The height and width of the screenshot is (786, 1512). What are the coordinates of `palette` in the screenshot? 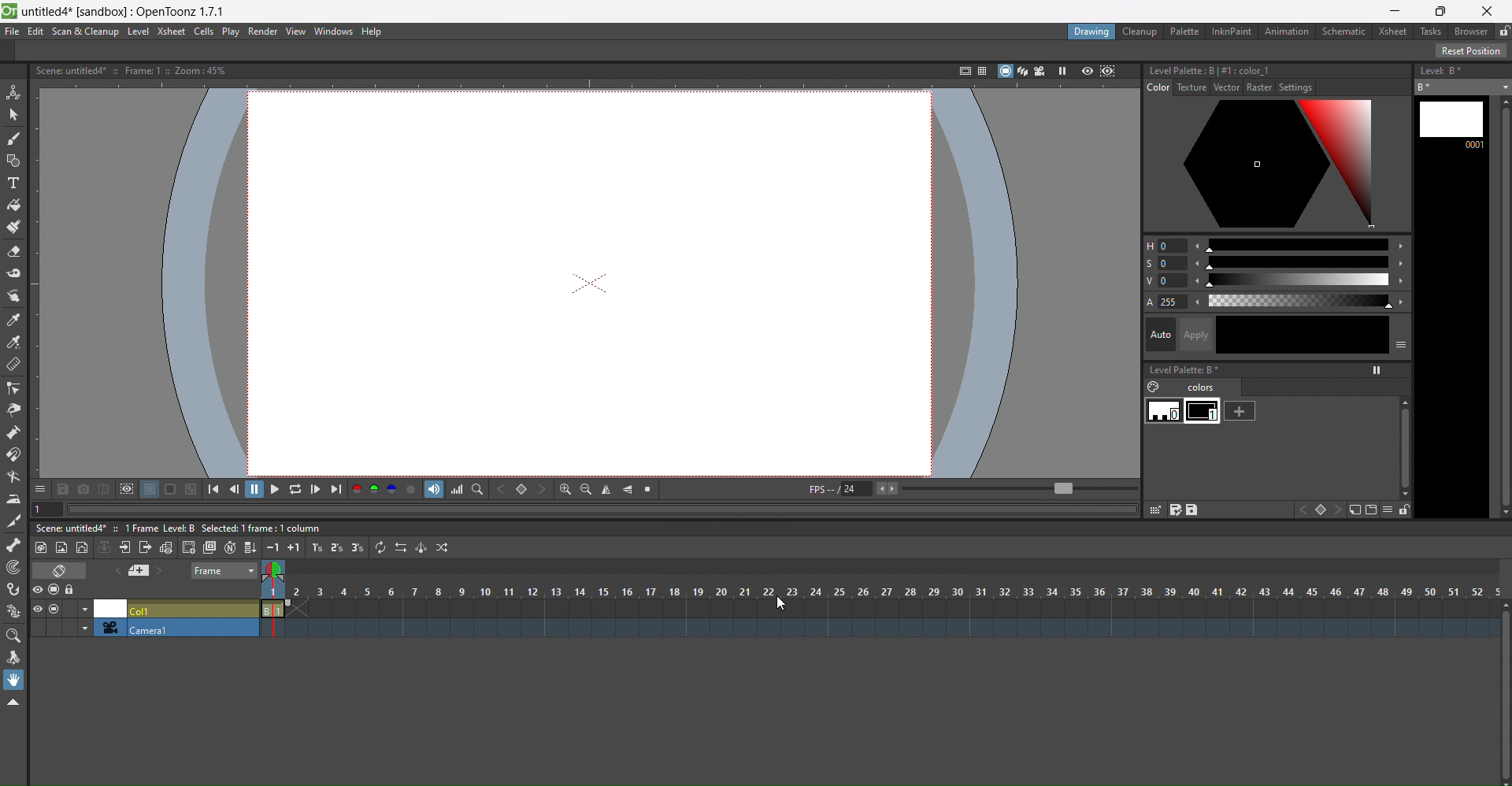 It's located at (1183, 31).